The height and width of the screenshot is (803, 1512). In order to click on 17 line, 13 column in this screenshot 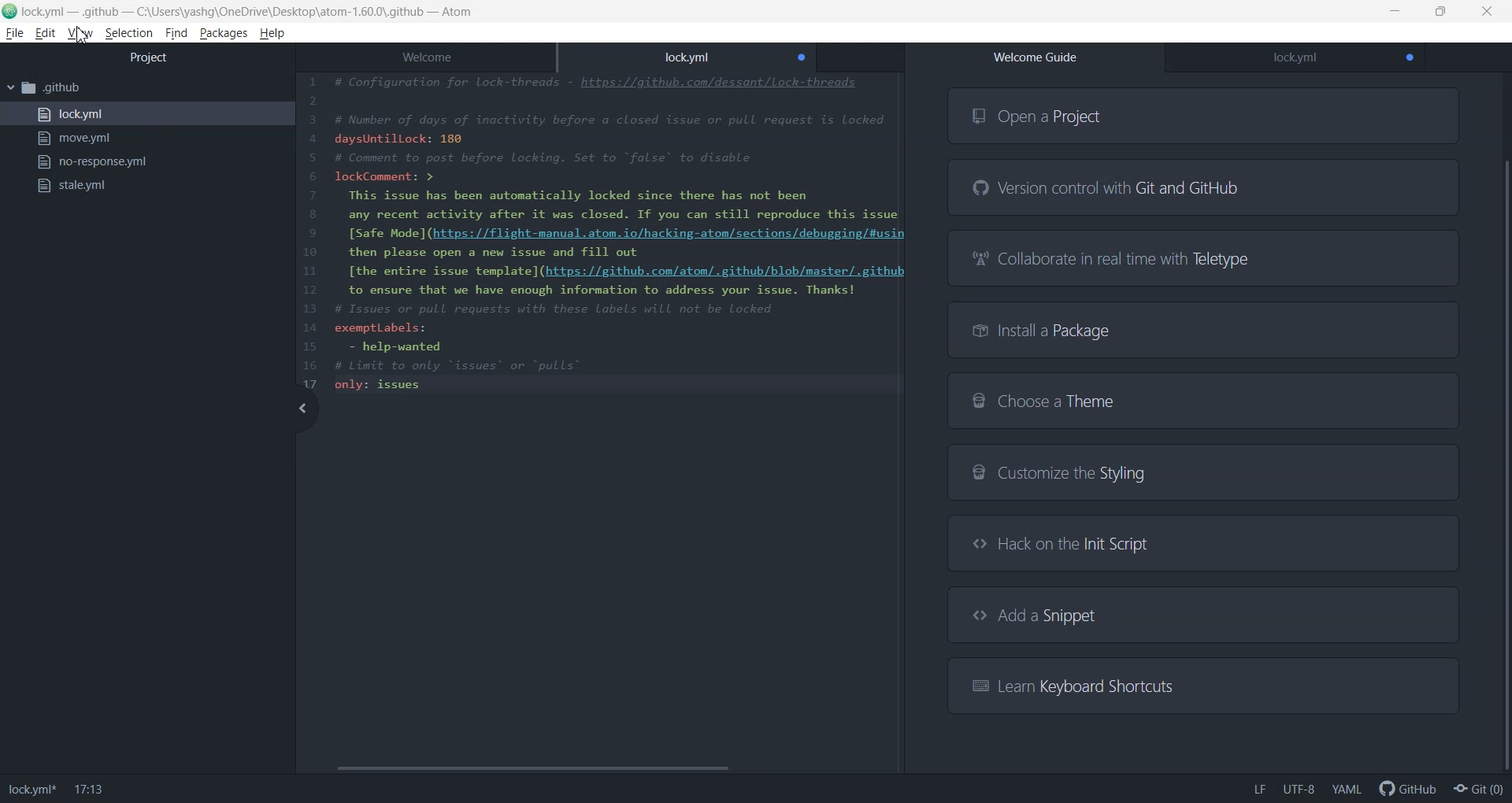, I will do `click(90, 790)`.